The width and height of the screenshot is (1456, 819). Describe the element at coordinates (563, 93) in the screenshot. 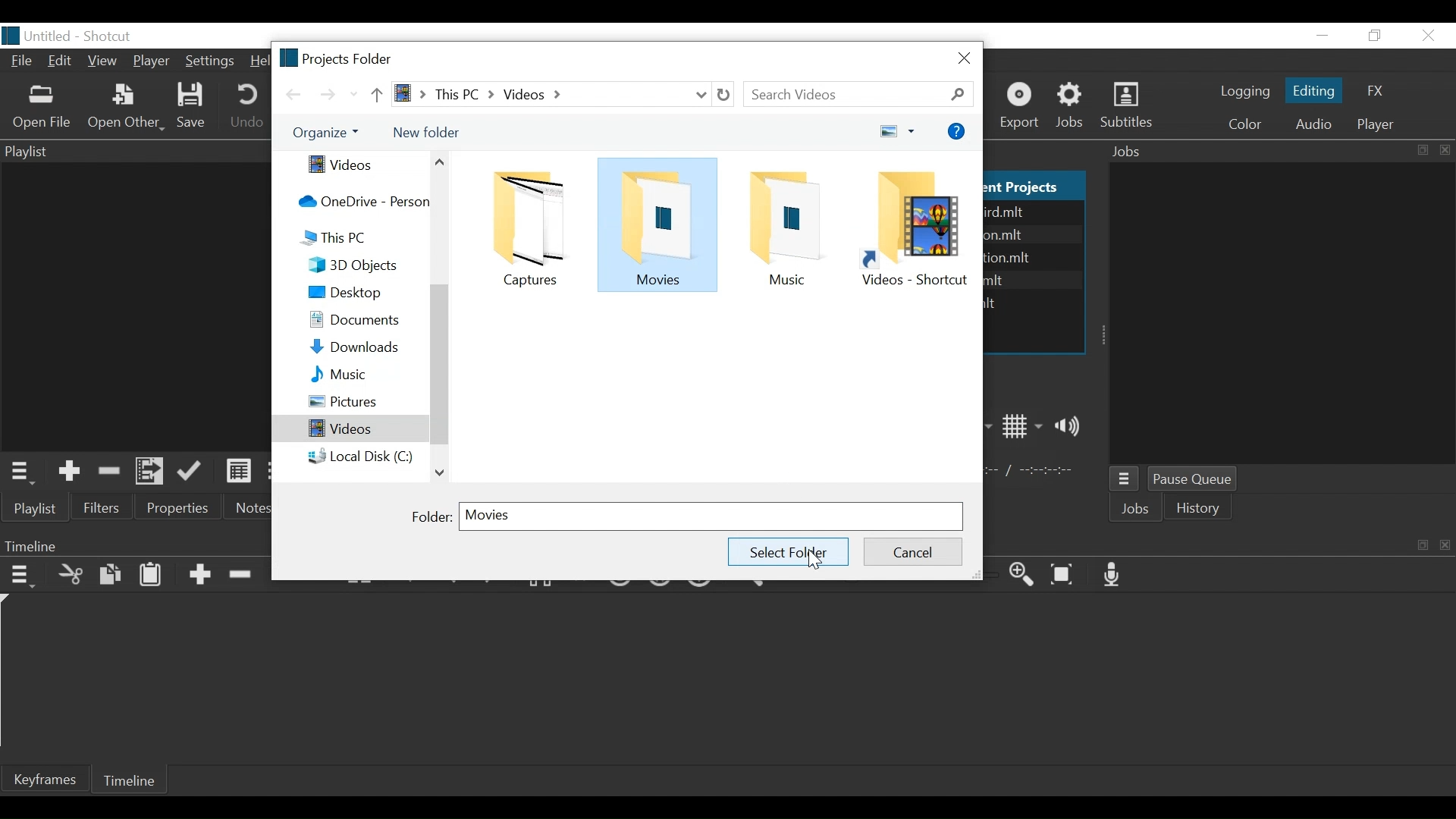

I see `File path` at that location.